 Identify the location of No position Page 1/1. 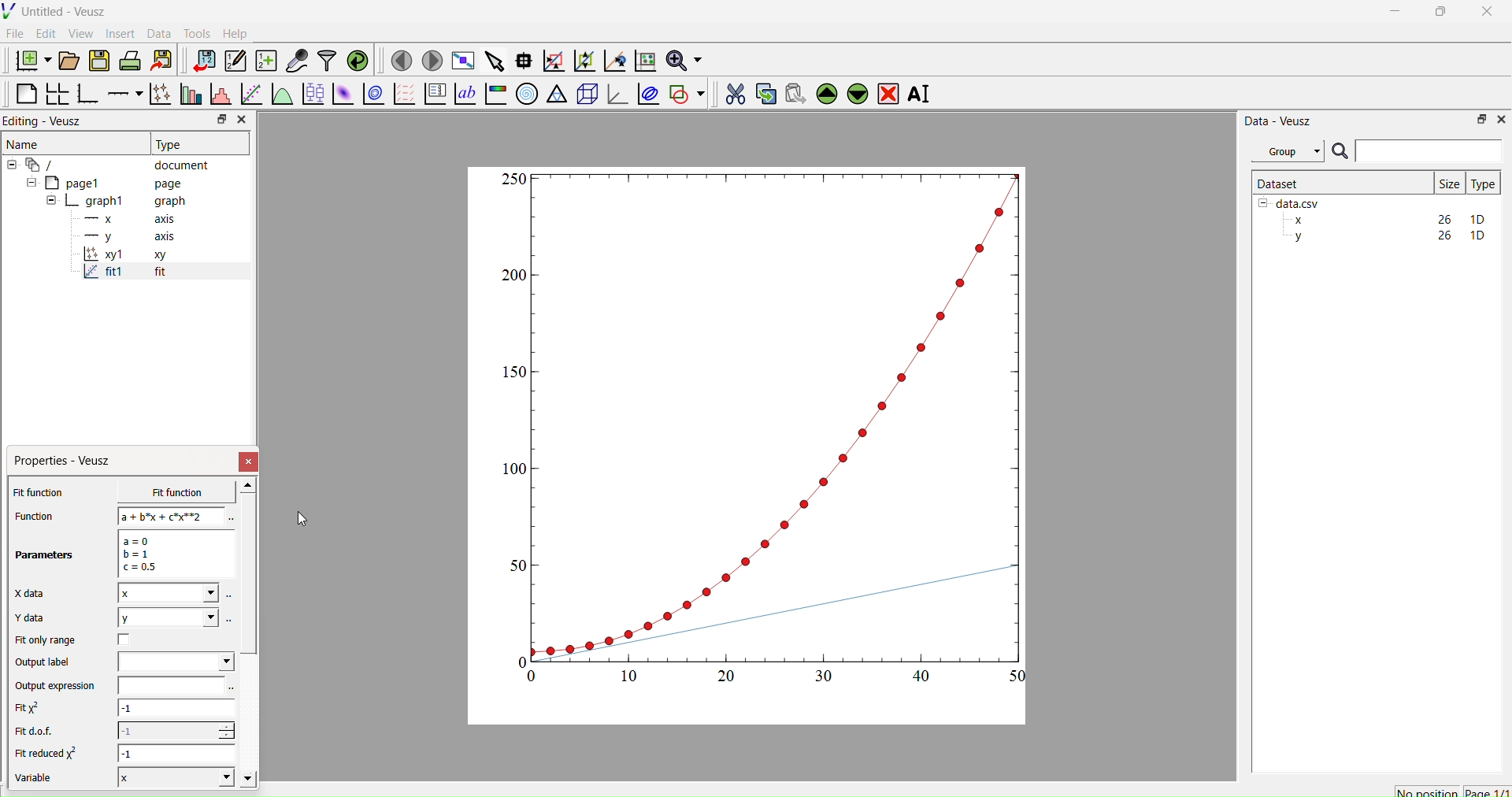
(1451, 791).